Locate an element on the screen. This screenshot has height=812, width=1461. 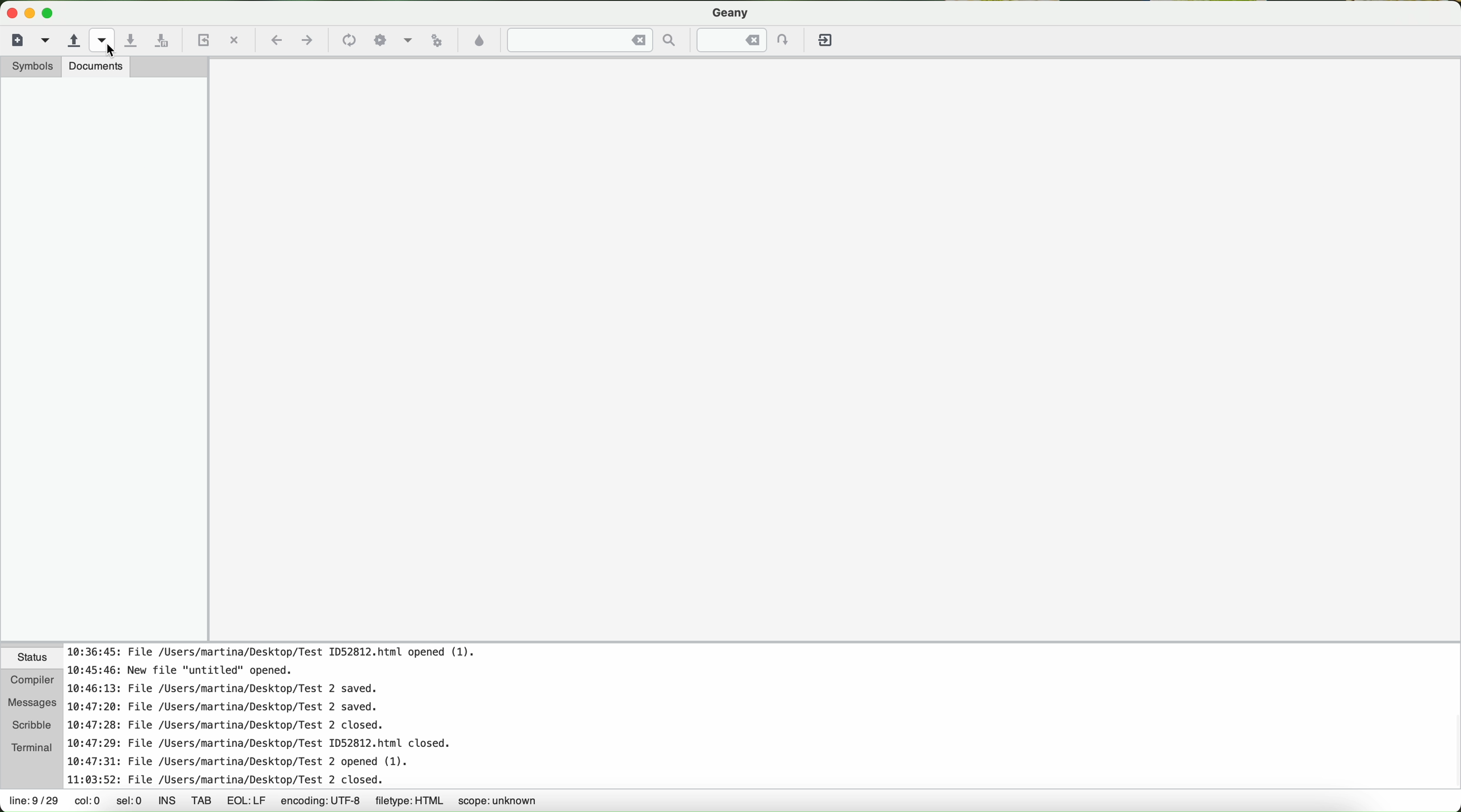
close program is located at coordinates (9, 11).